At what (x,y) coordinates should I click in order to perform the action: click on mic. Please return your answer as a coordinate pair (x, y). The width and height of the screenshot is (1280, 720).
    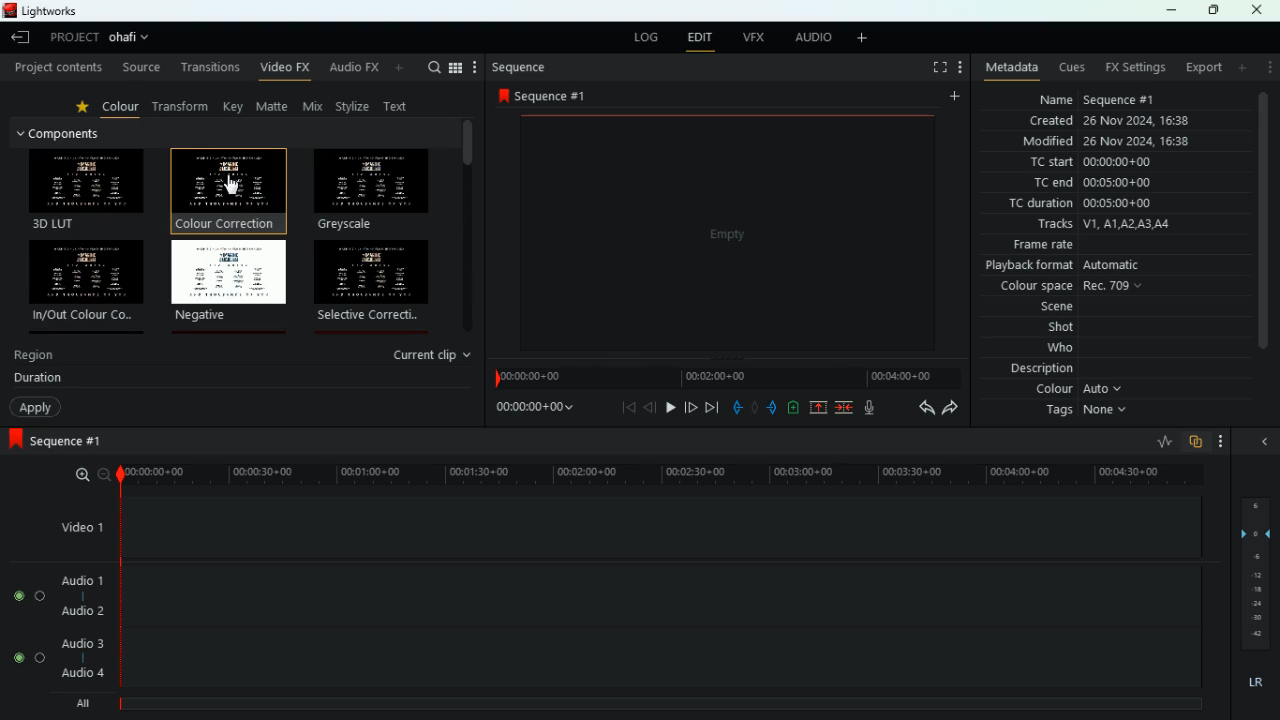
    Looking at the image, I should click on (873, 408).